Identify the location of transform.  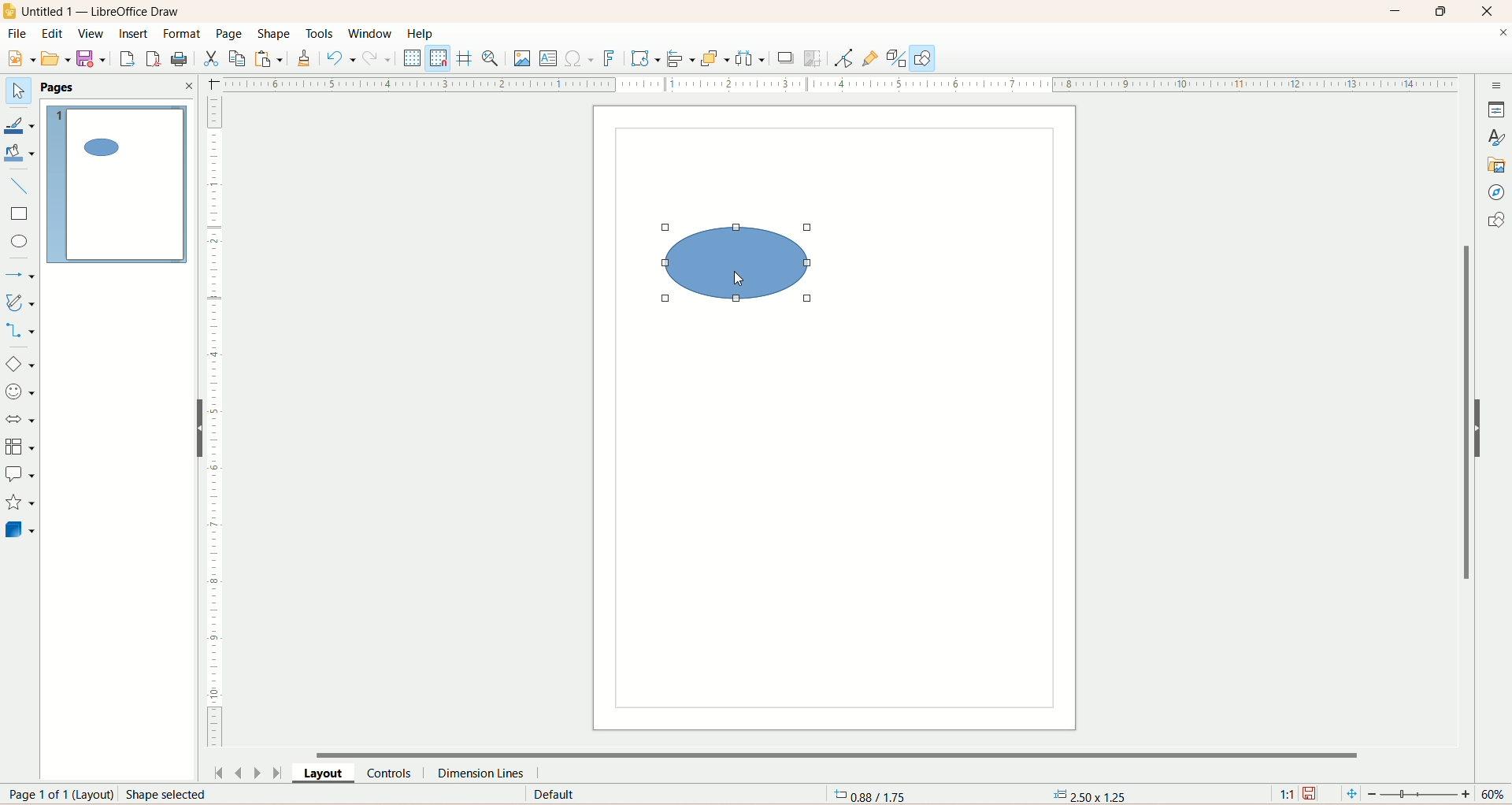
(642, 59).